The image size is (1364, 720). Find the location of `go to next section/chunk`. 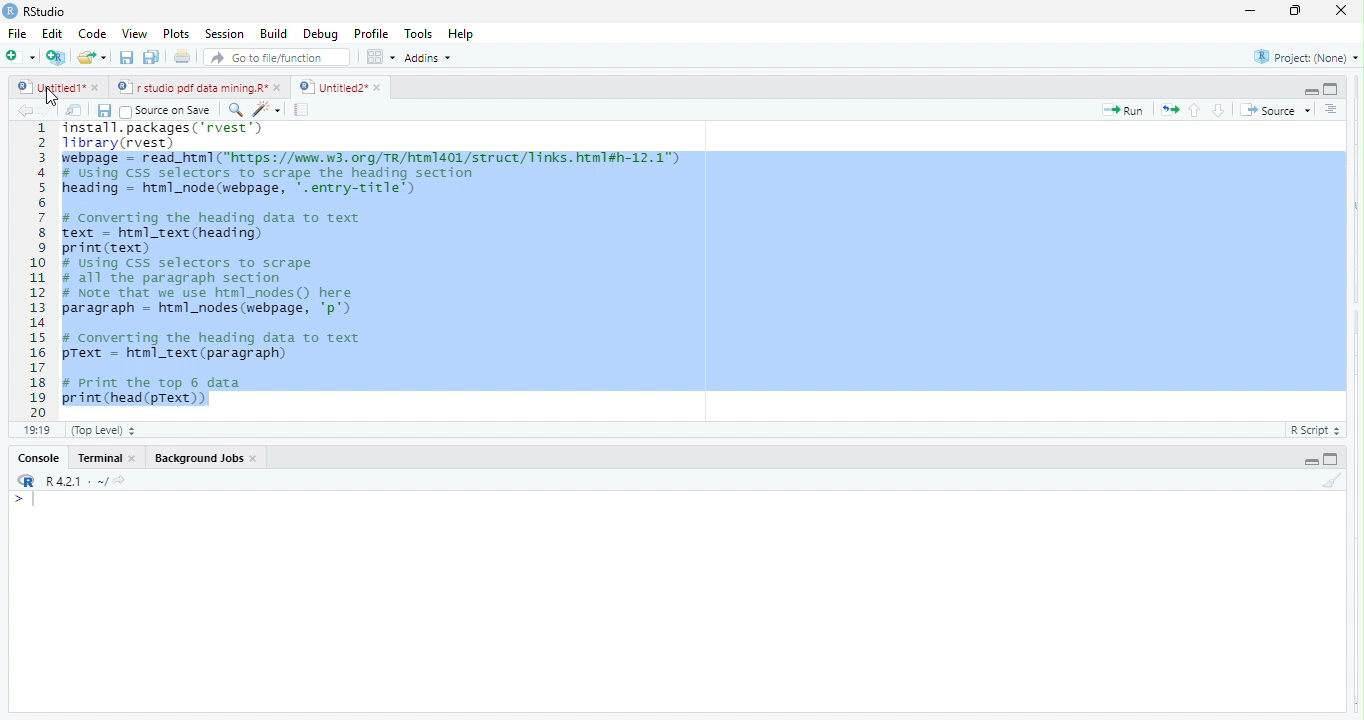

go to next section/chunk is located at coordinates (1220, 110).